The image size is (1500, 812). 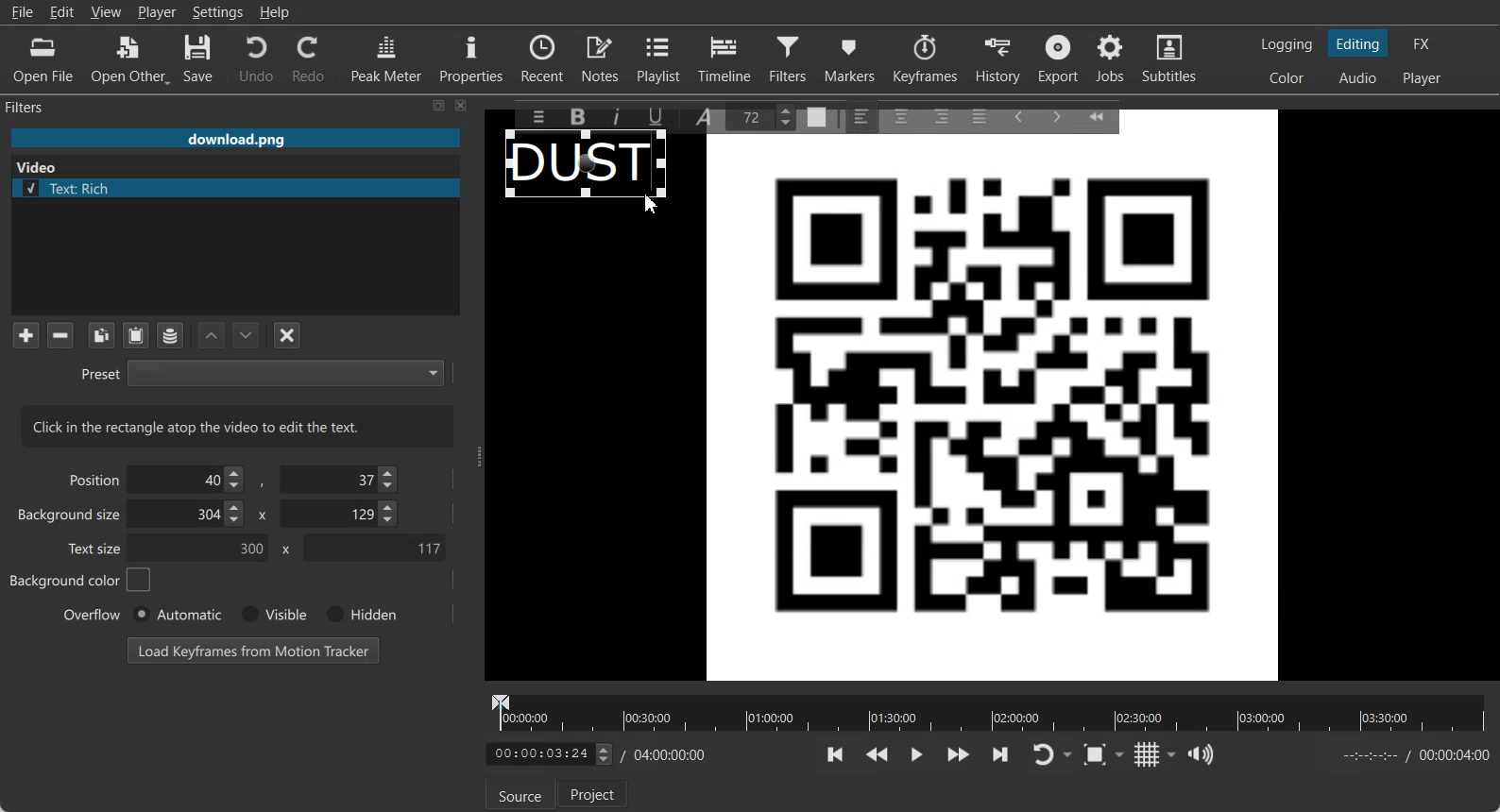 What do you see at coordinates (791, 58) in the screenshot?
I see `Filters` at bounding box center [791, 58].